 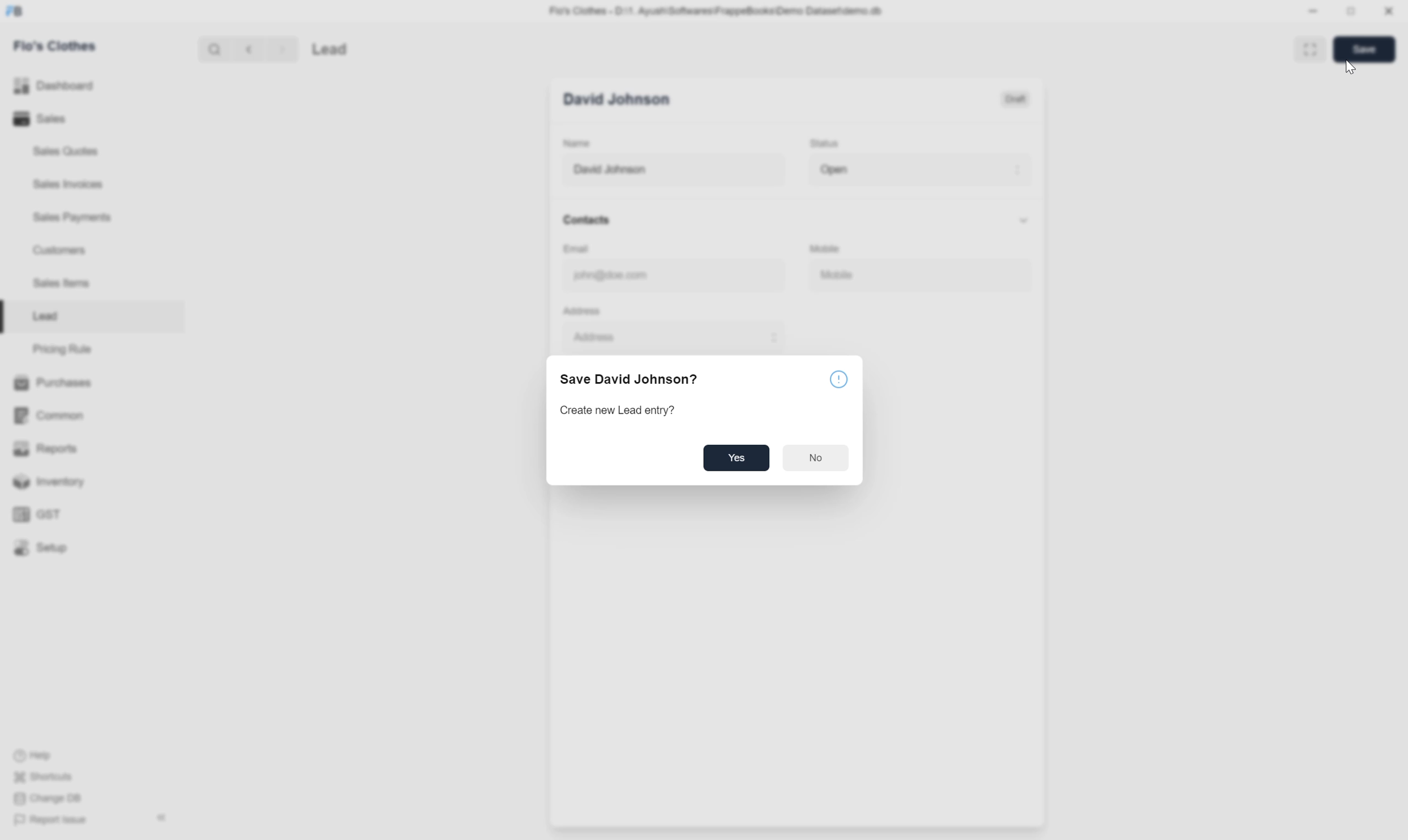 What do you see at coordinates (666, 335) in the screenshot?
I see `Address ` at bounding box center [666, 335].